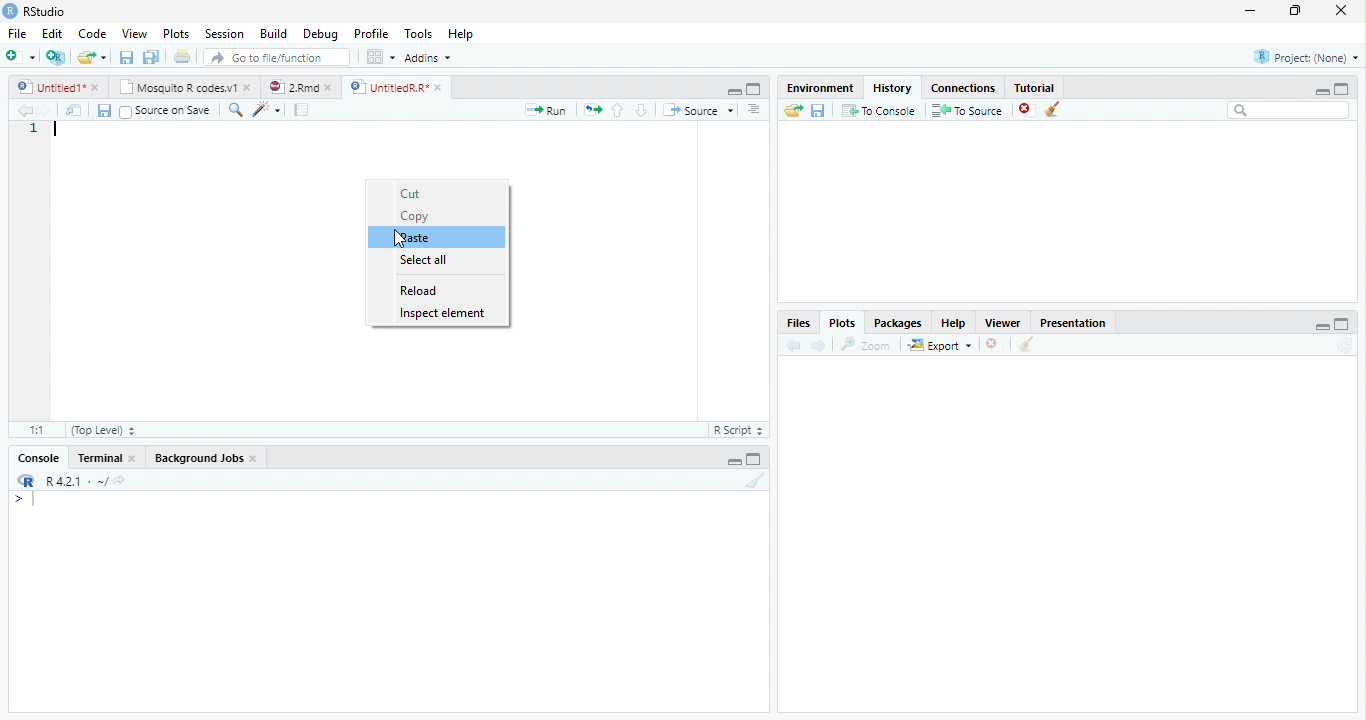 This screenshot has height=720, width=1366. What do you see at coordinates (818, 88) in the screenshot?
I see `Environment` at bounding box center [818, 88].